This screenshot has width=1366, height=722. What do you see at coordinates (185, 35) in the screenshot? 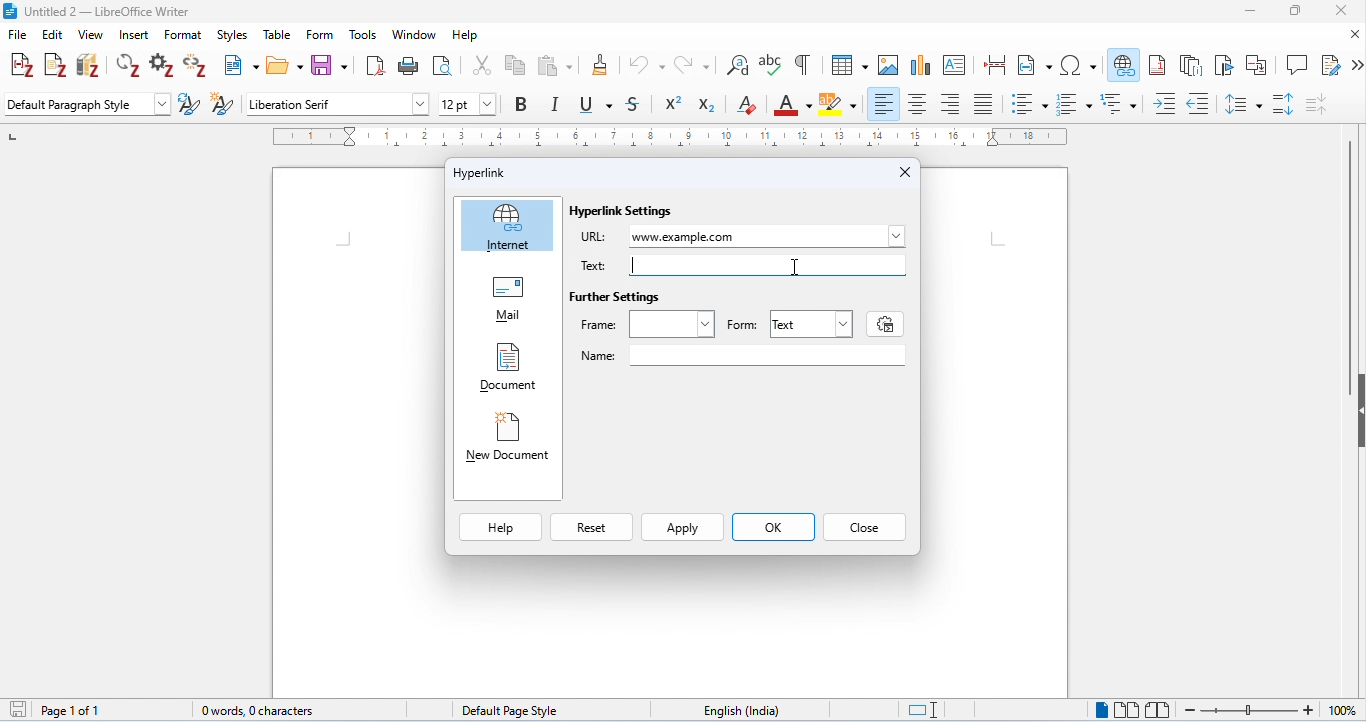
I see `format` at bounding box center [185, 35].